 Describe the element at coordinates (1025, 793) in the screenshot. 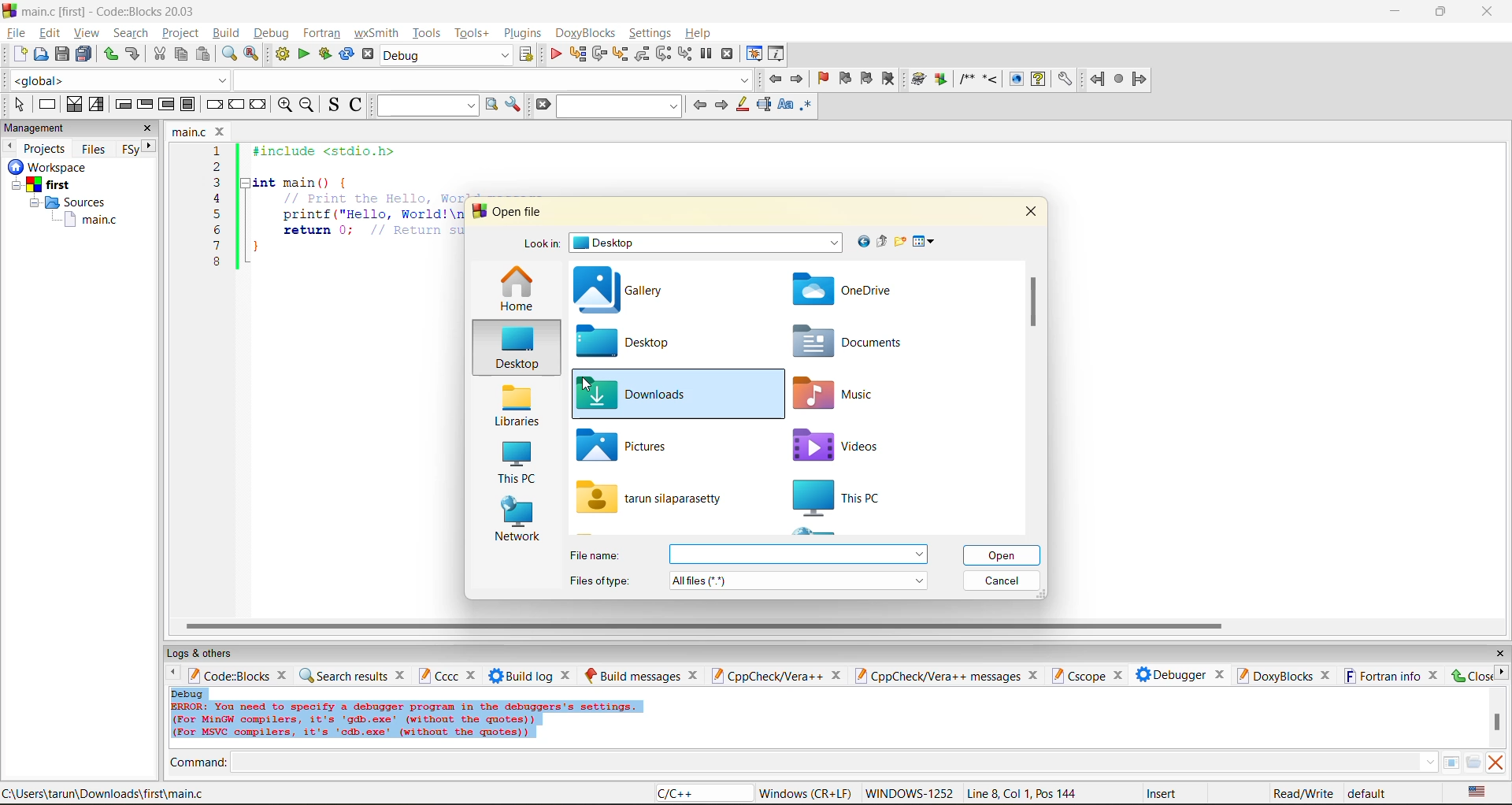

I see `line8, col 1, pos 144` at that location.